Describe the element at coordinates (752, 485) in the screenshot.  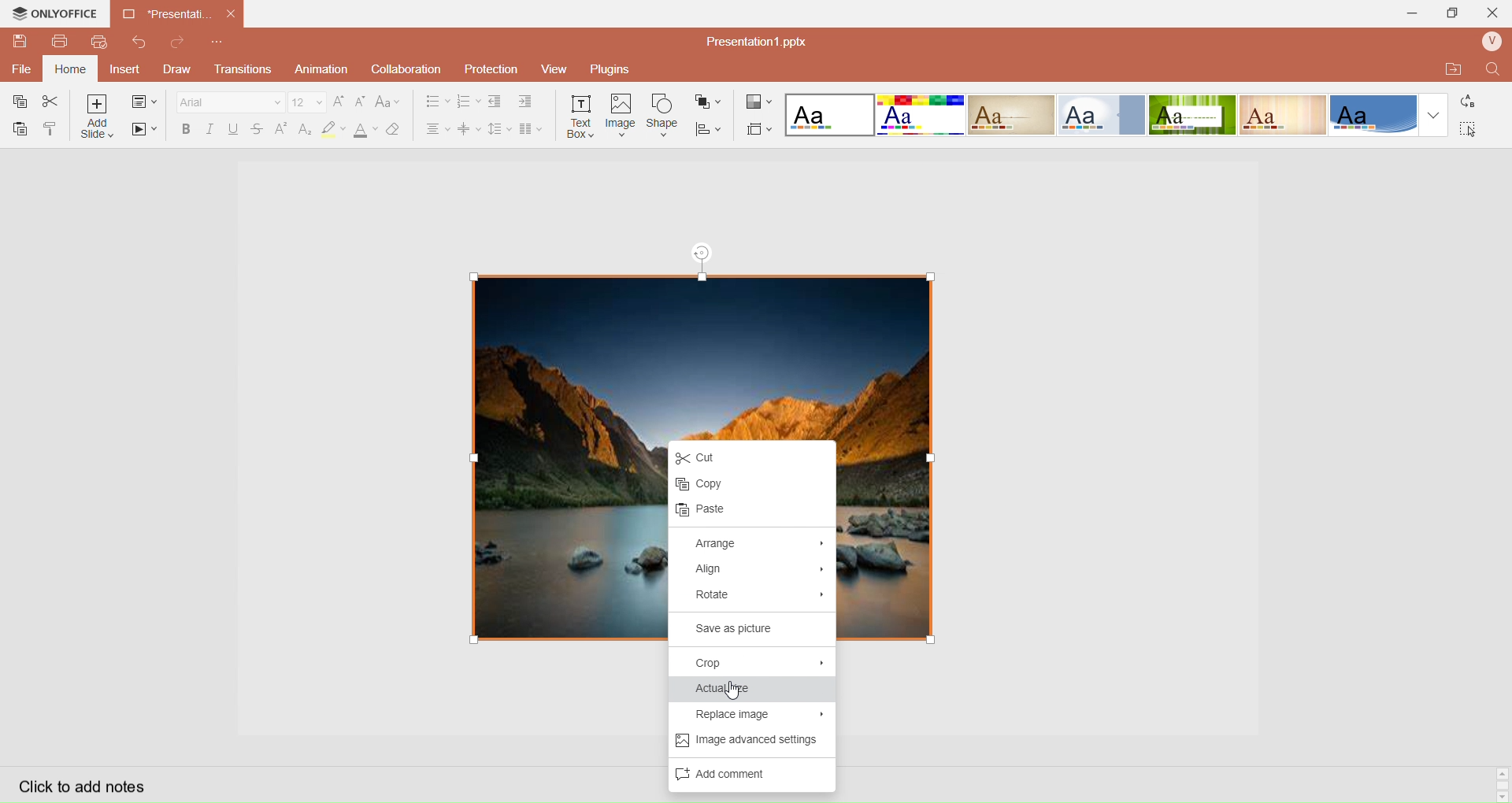
I see `Copy` at that location.